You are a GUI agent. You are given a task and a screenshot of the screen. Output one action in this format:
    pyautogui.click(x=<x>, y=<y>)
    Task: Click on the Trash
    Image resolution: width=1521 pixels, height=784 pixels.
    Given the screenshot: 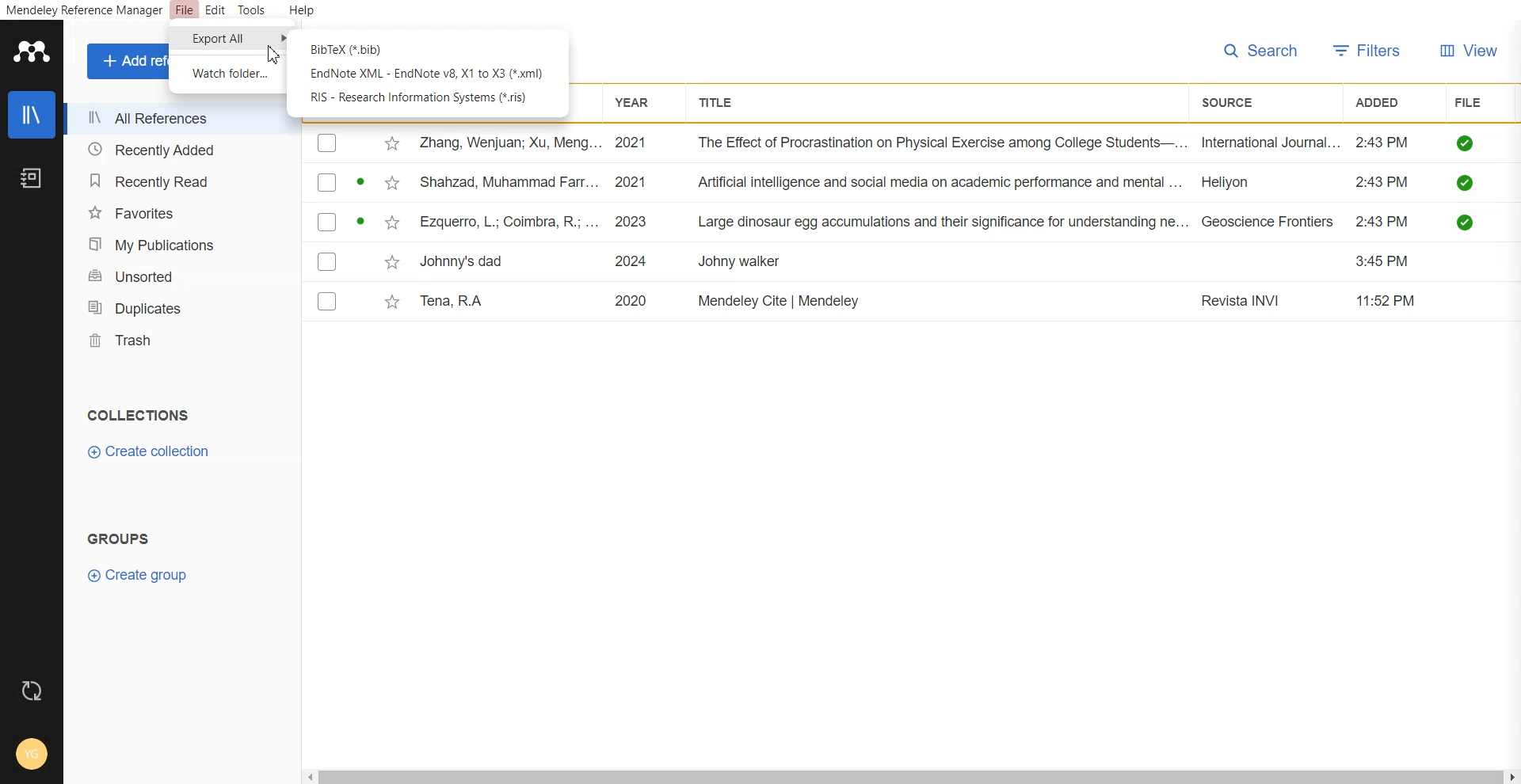 What is the action you would take?
    pyautogui.click(x=178, y=339)
    